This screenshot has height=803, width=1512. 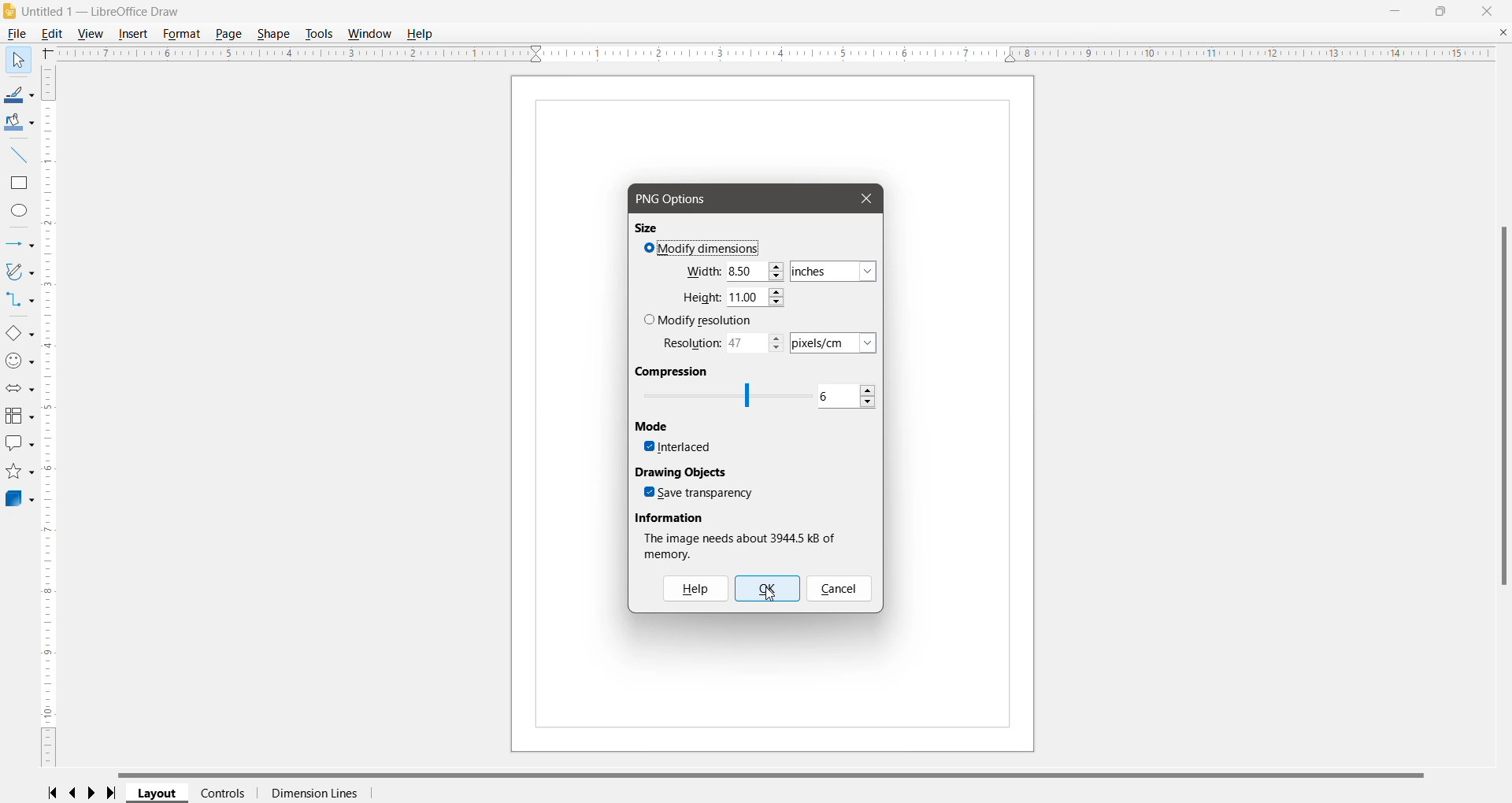 I want to click on Connectors, so click(x=18, y=301).